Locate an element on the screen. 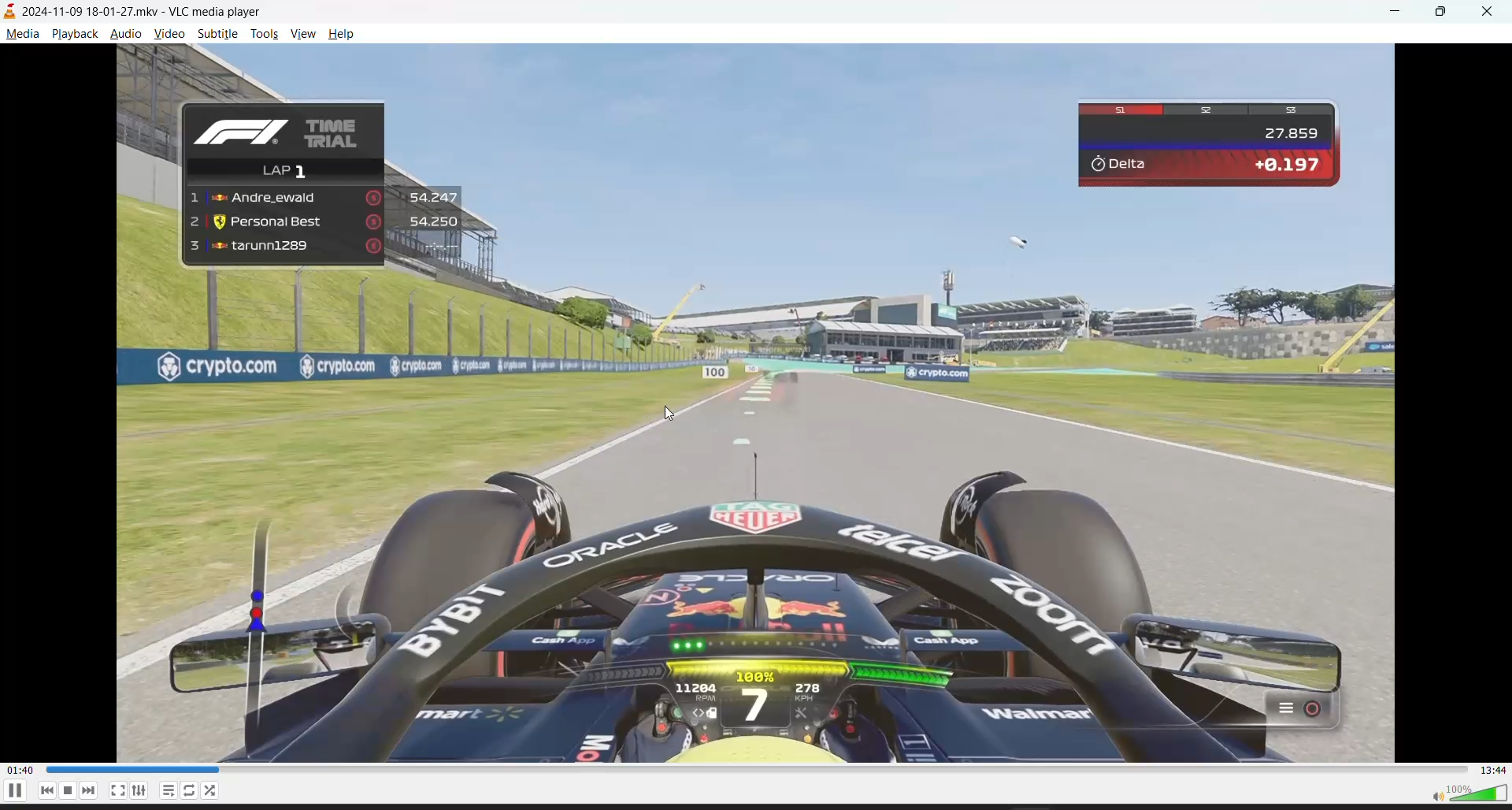 This screenshot has height=810, width=1512. pause is located at coordinates (15, 794).